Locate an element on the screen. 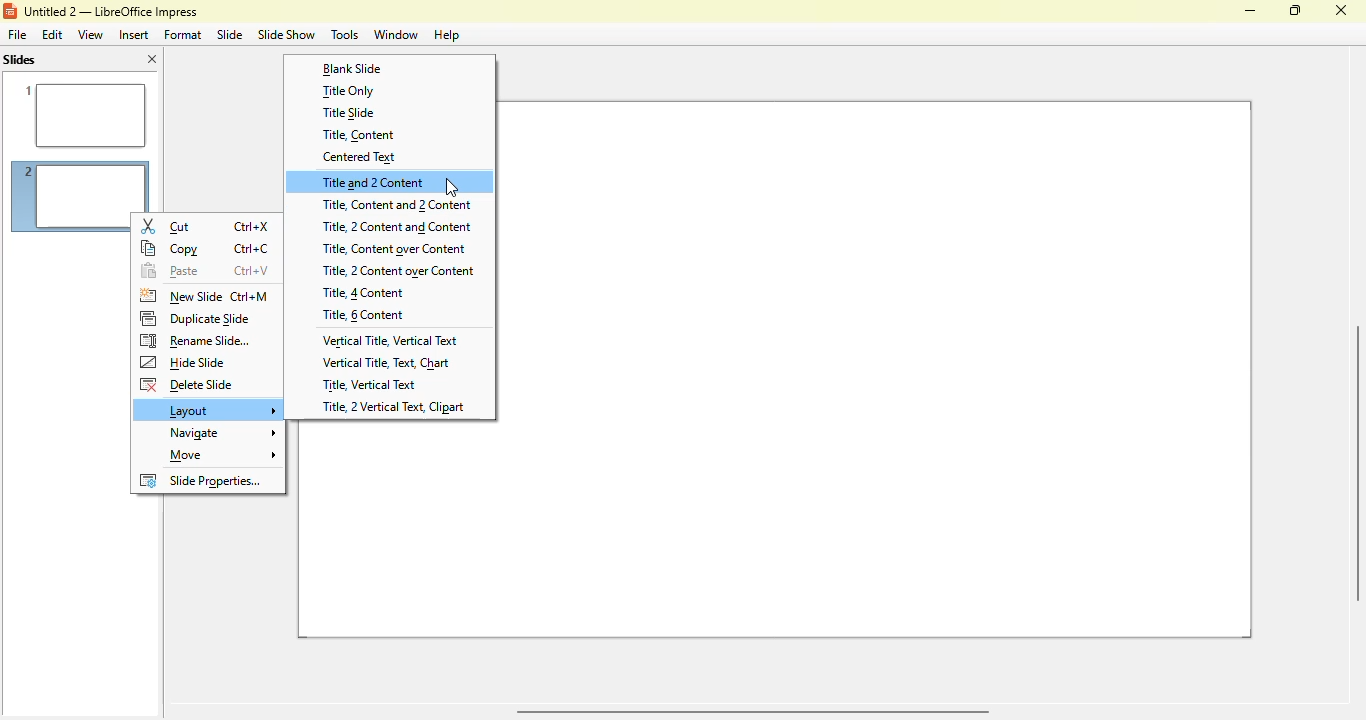 This screenshot has width=1366, height=720. title, vertical text is located at coordinates (370, 385).